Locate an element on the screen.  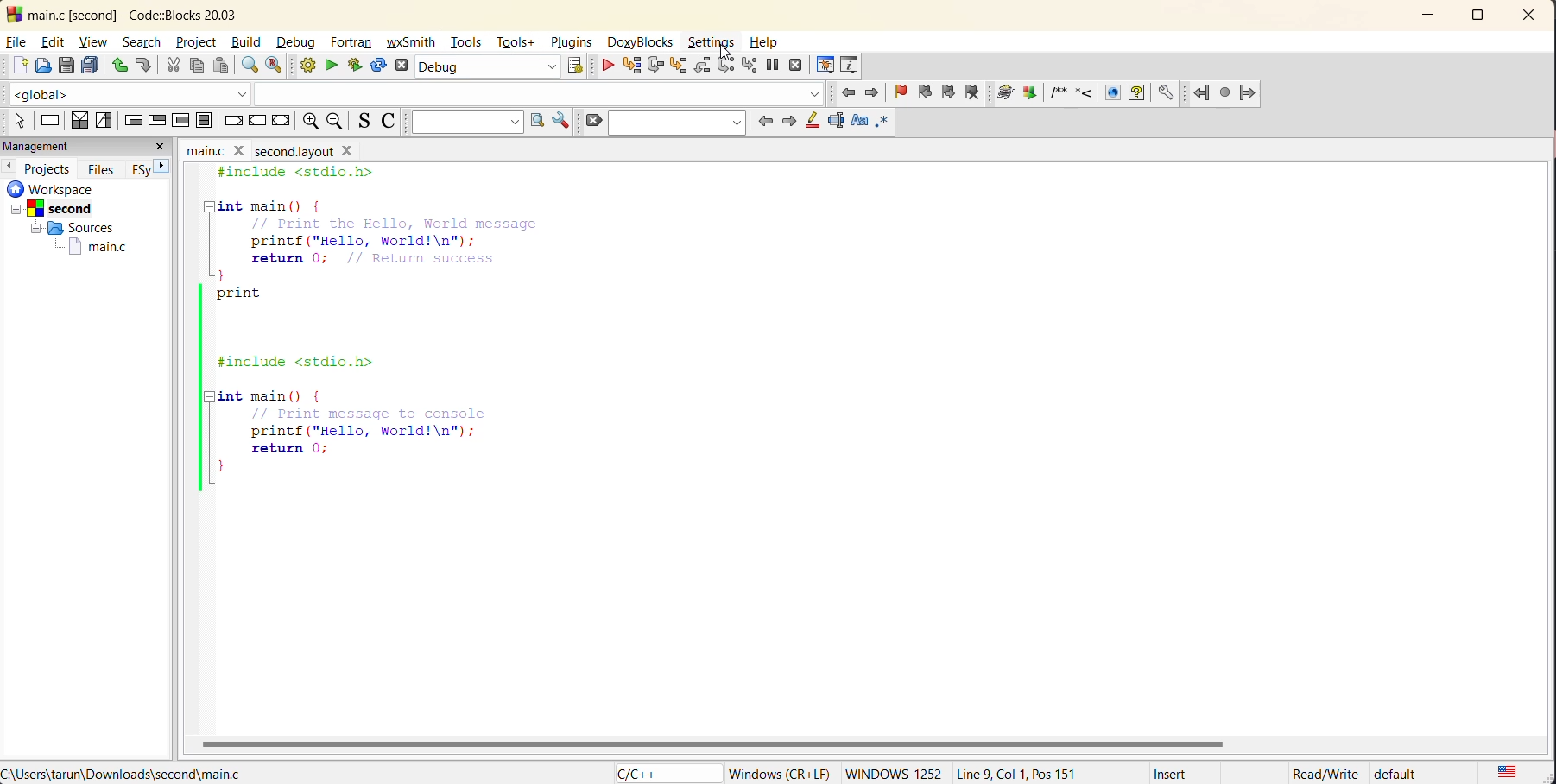
language is located at coordinates (663, 772).